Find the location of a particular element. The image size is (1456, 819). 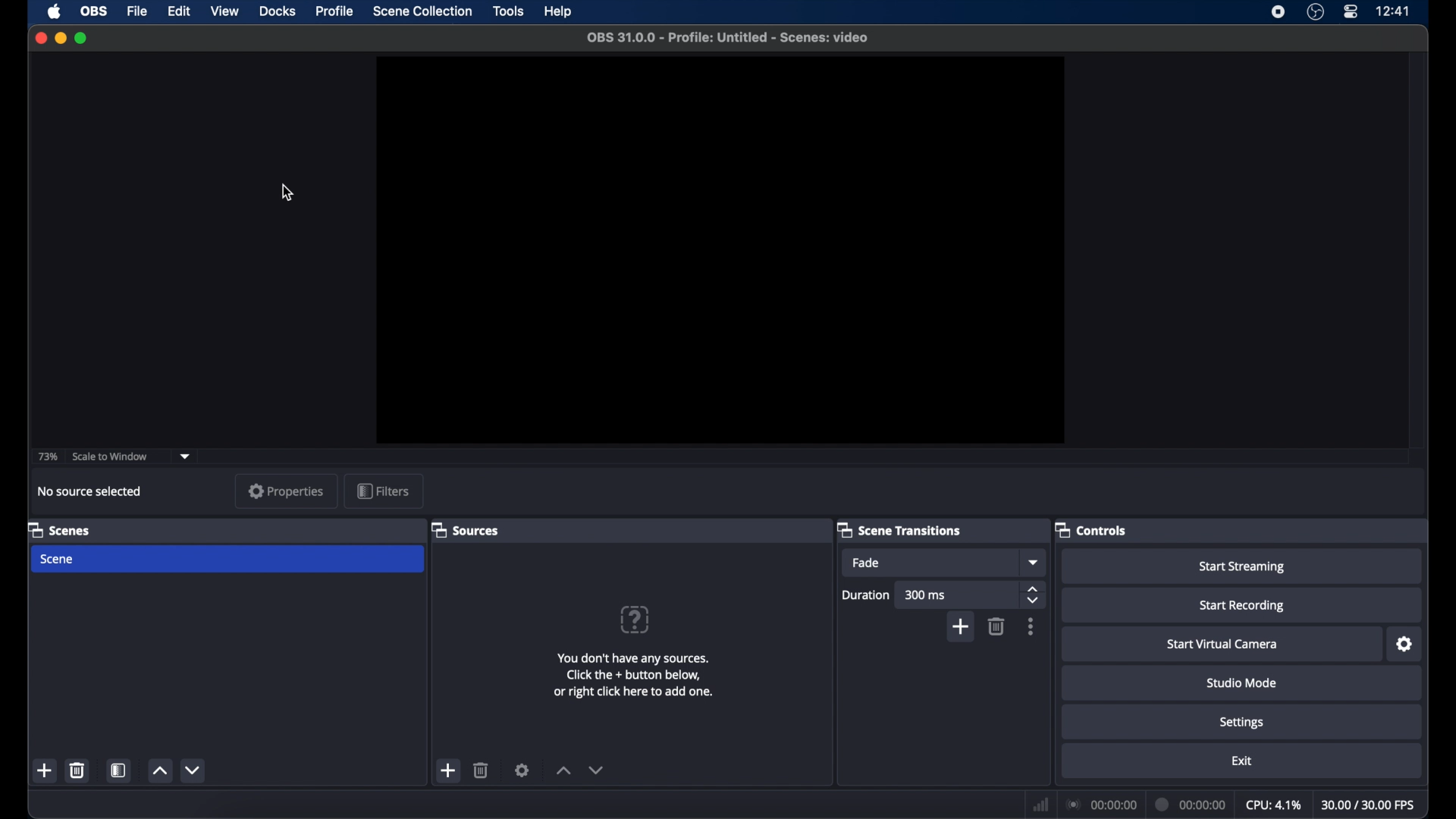

stepper button is located at coordinates (1036, 593).